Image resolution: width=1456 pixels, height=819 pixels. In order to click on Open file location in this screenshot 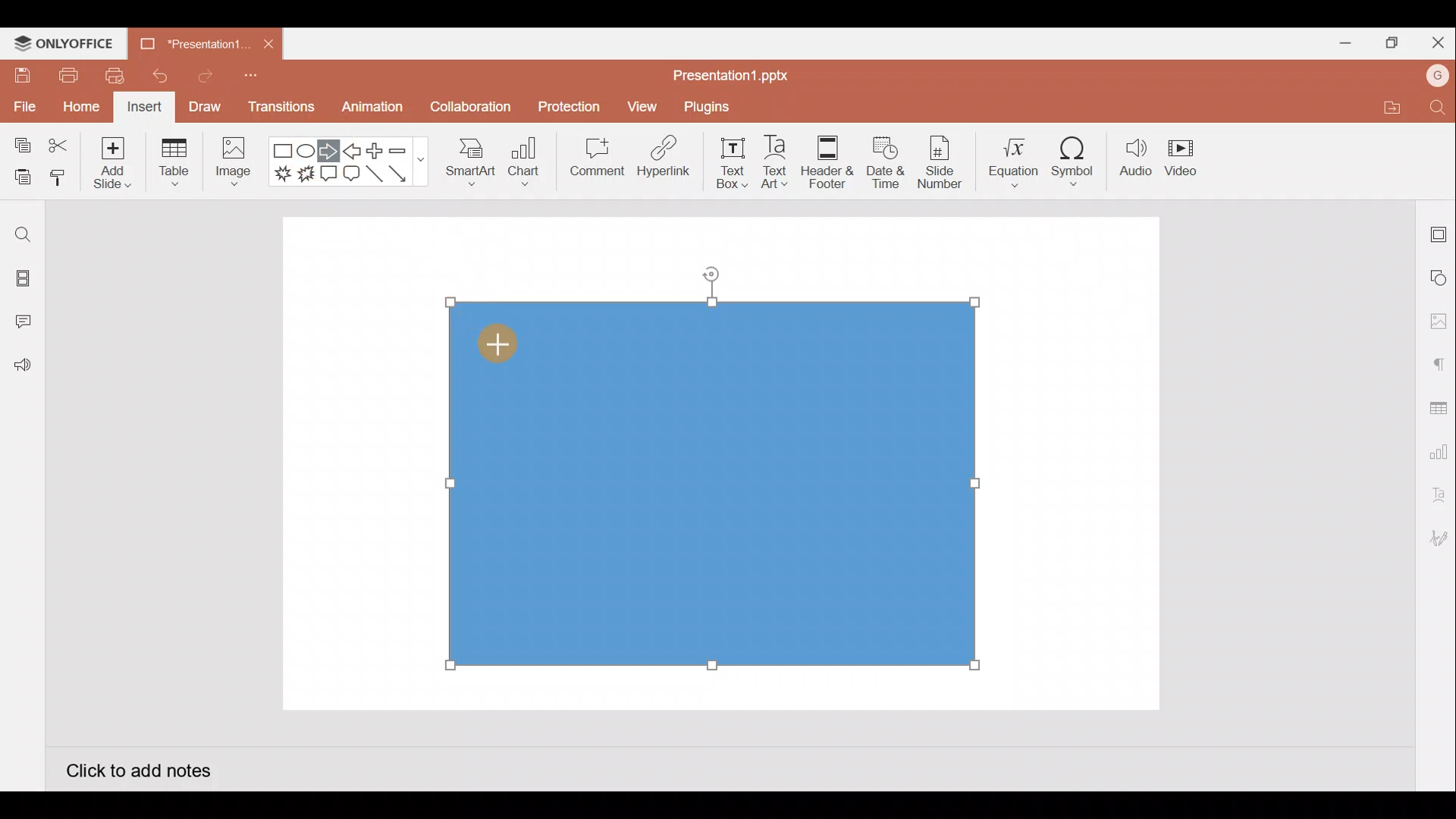, I will do `click(1389, 107)`.